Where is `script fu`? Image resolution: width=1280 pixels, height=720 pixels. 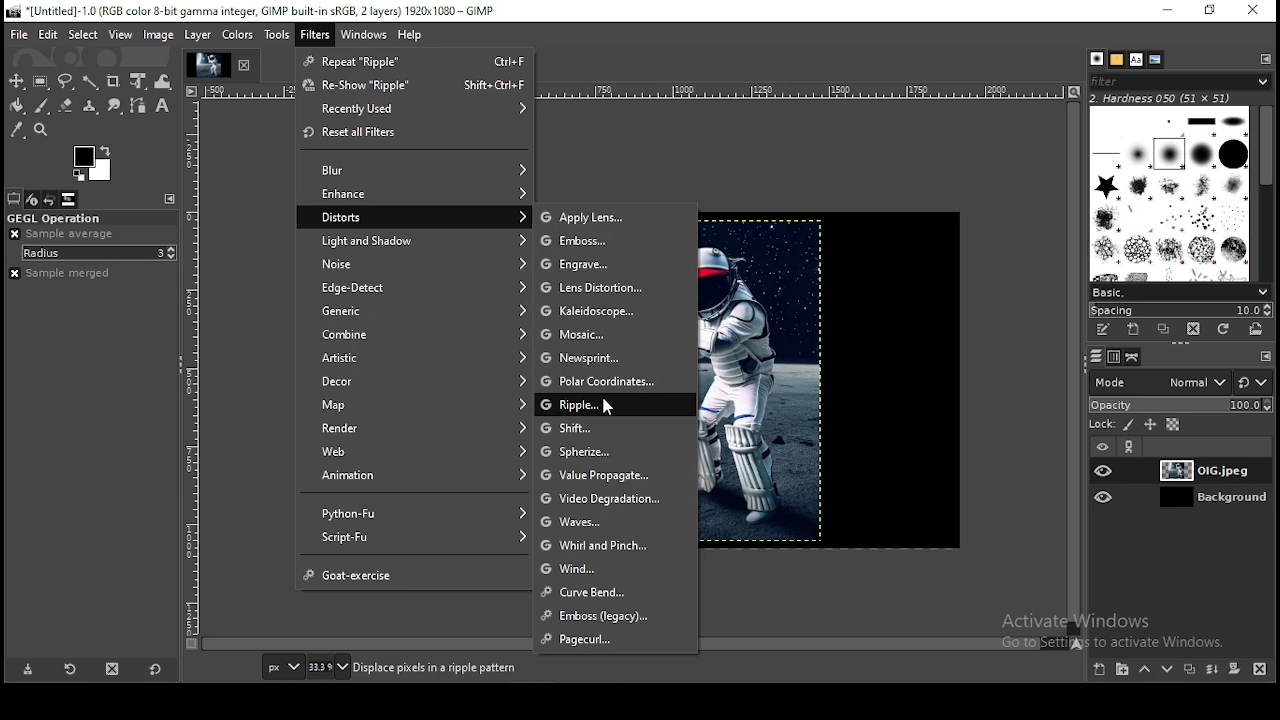 script fu is located at coordinates (417, 538).